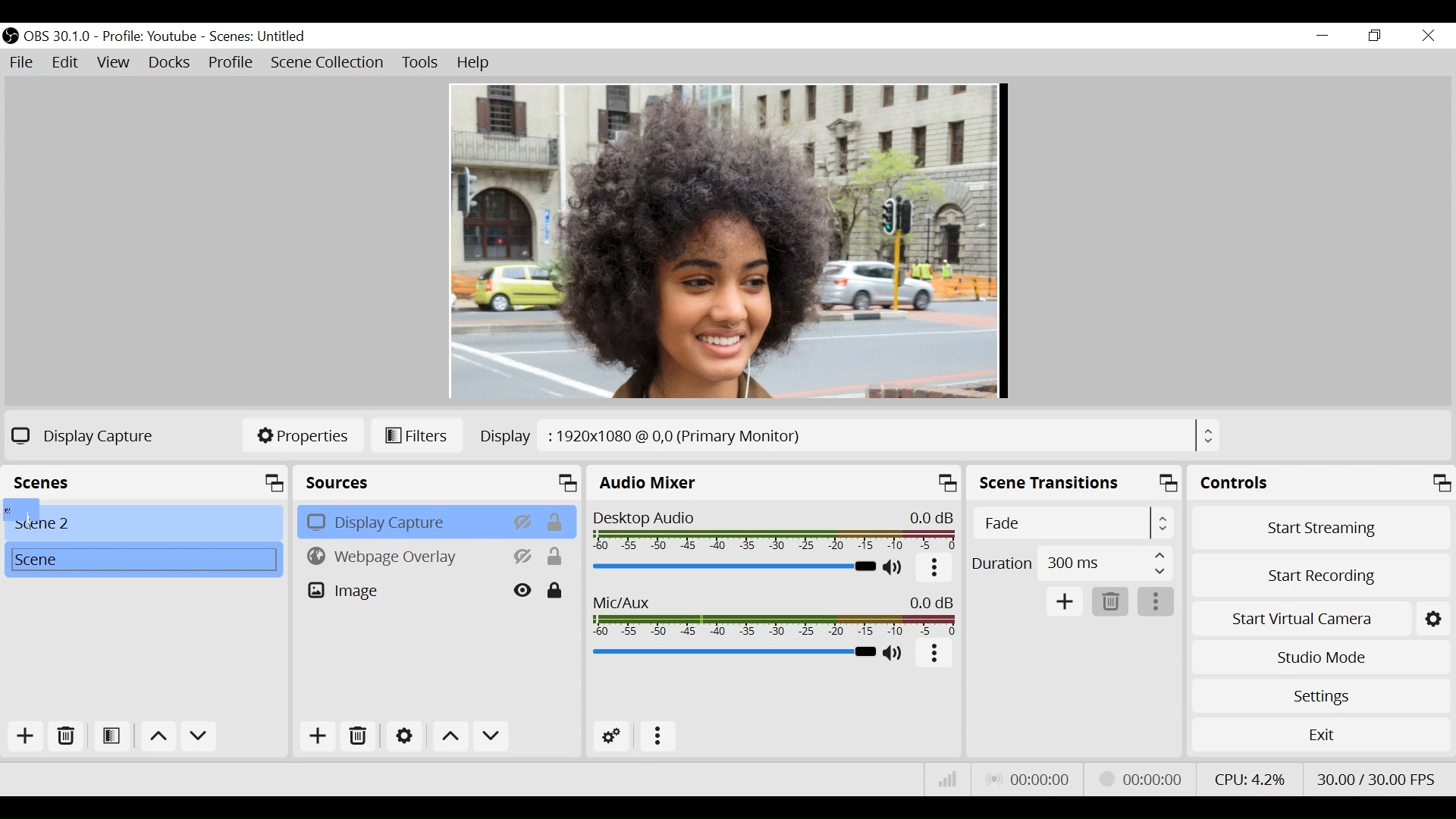 This screenshot has height=819, width=1456. Describe the element at coordinates (450, 736) in the screenshot. I see `Move up` at that location.